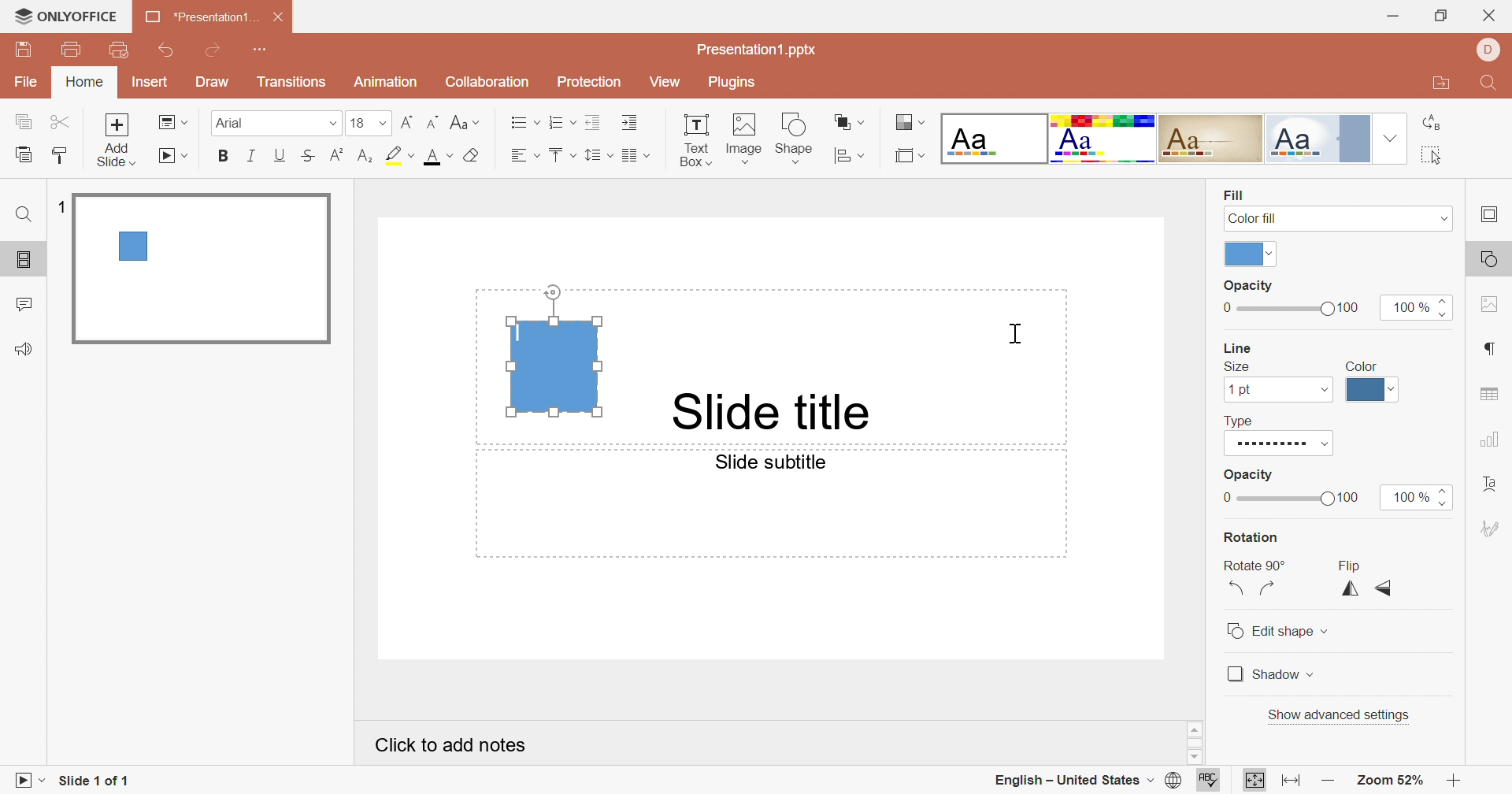  What do you see at coordinates (166, 51) in the screenshot?
I see `Undo` at bounding box center [166, 51].